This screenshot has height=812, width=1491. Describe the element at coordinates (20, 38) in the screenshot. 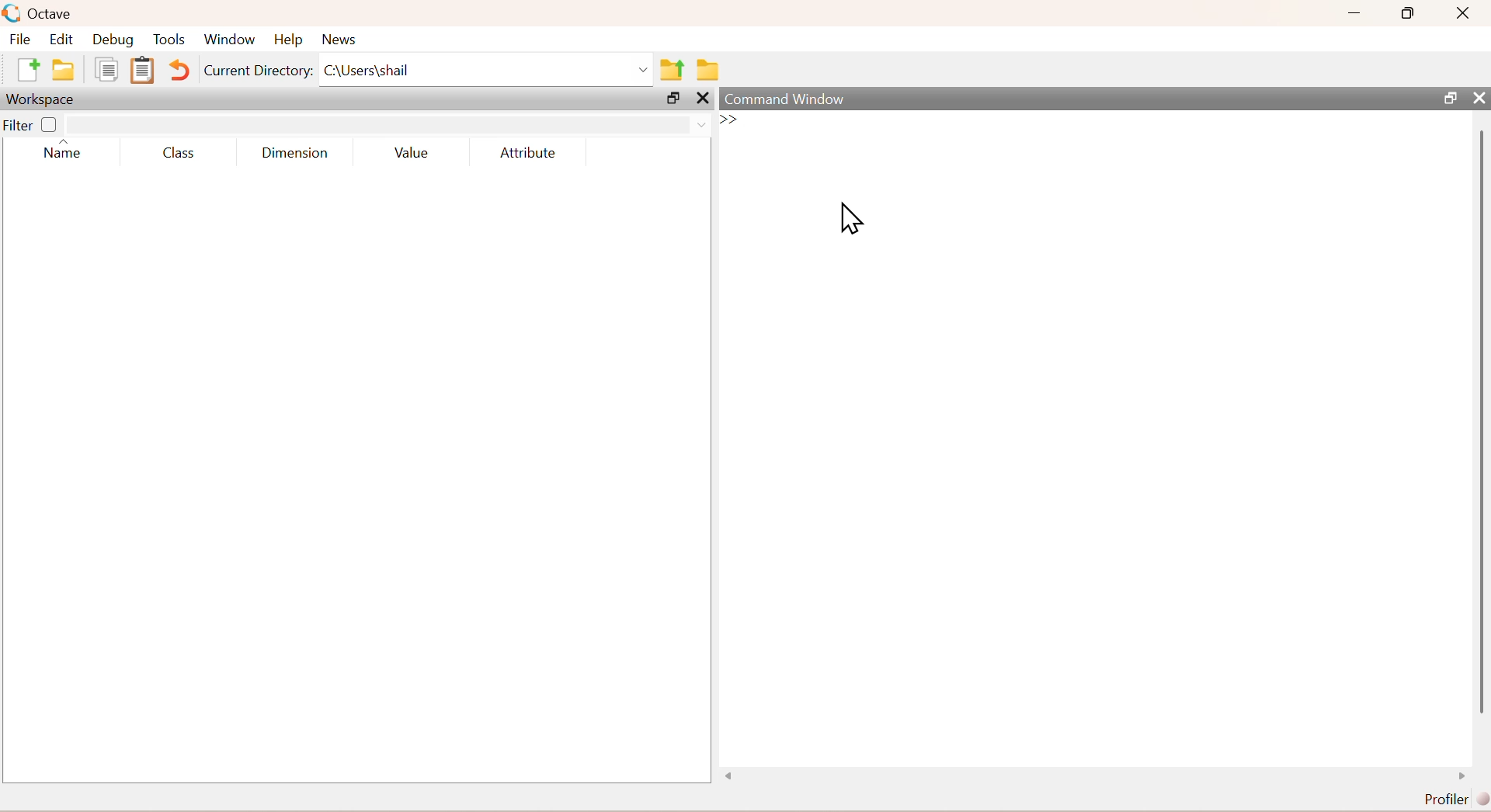

I see `file` at that location.